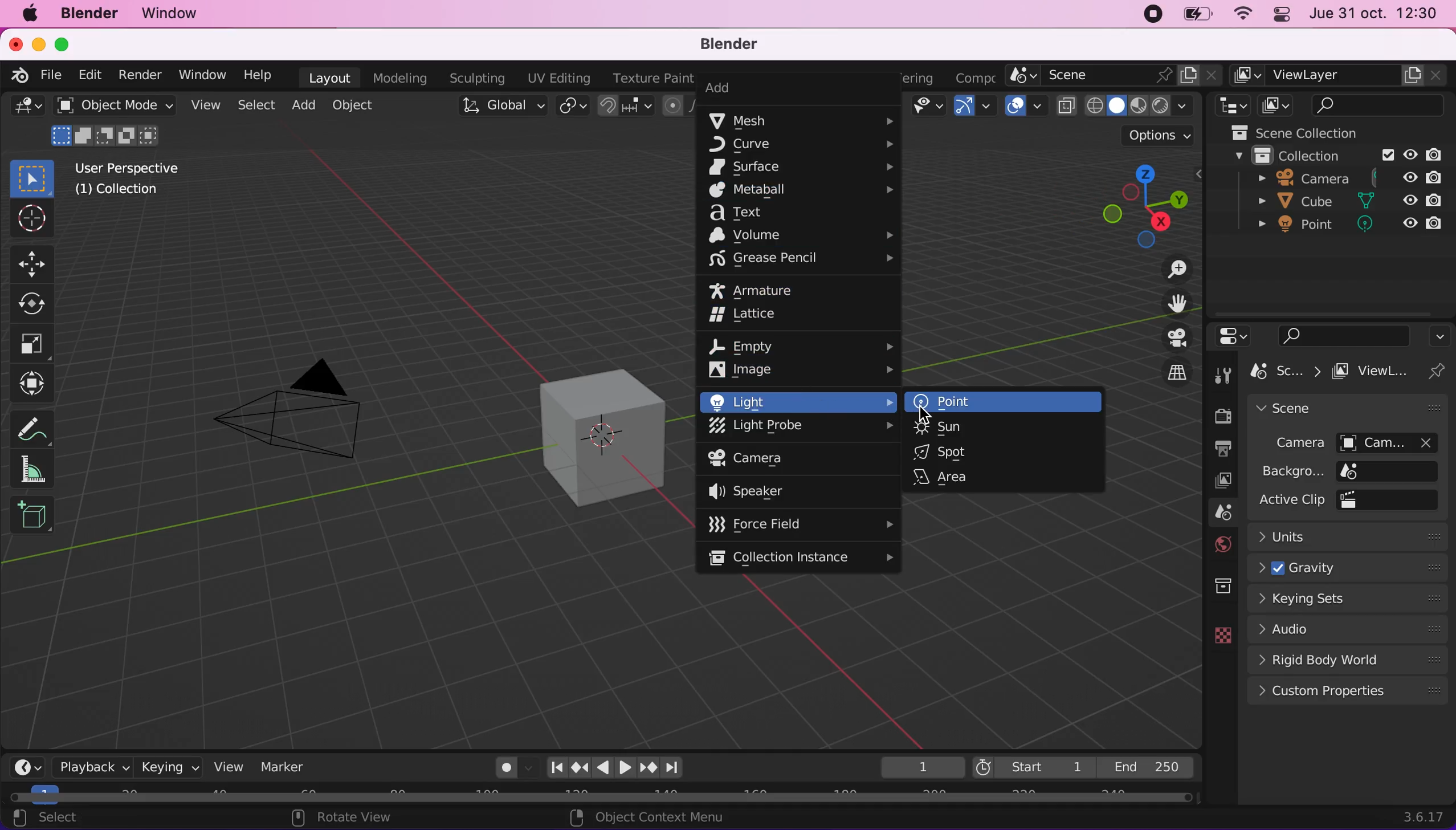  What do you see at coordinates (116, 123) in the screenshot?
I see `object mode` at bounding box center [116, 123].